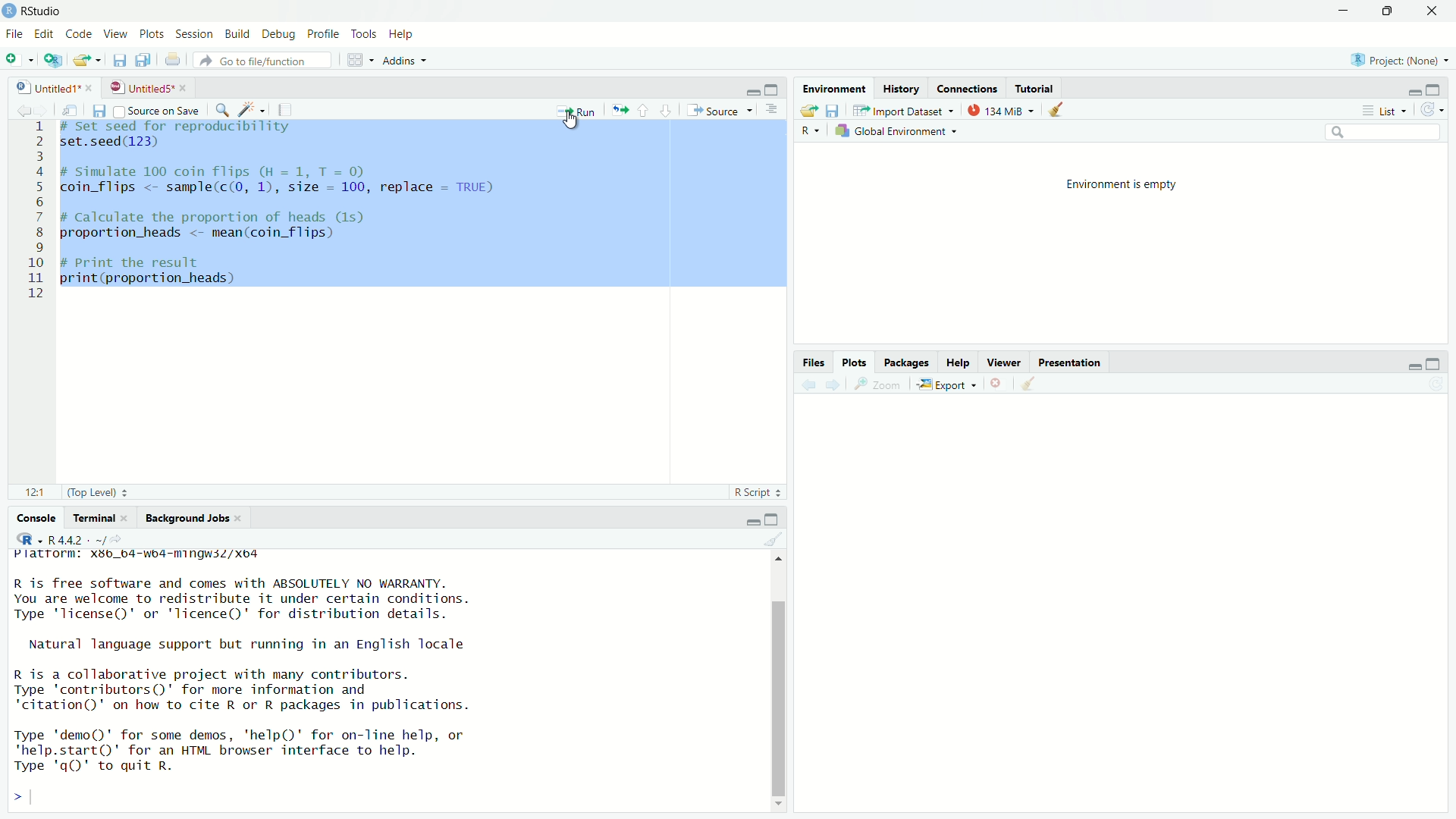 The height and width of the screenshot is (819, 1456). Describe the element at coordinates (187, 519) in the screenshot. I see `background jobs` at that location.